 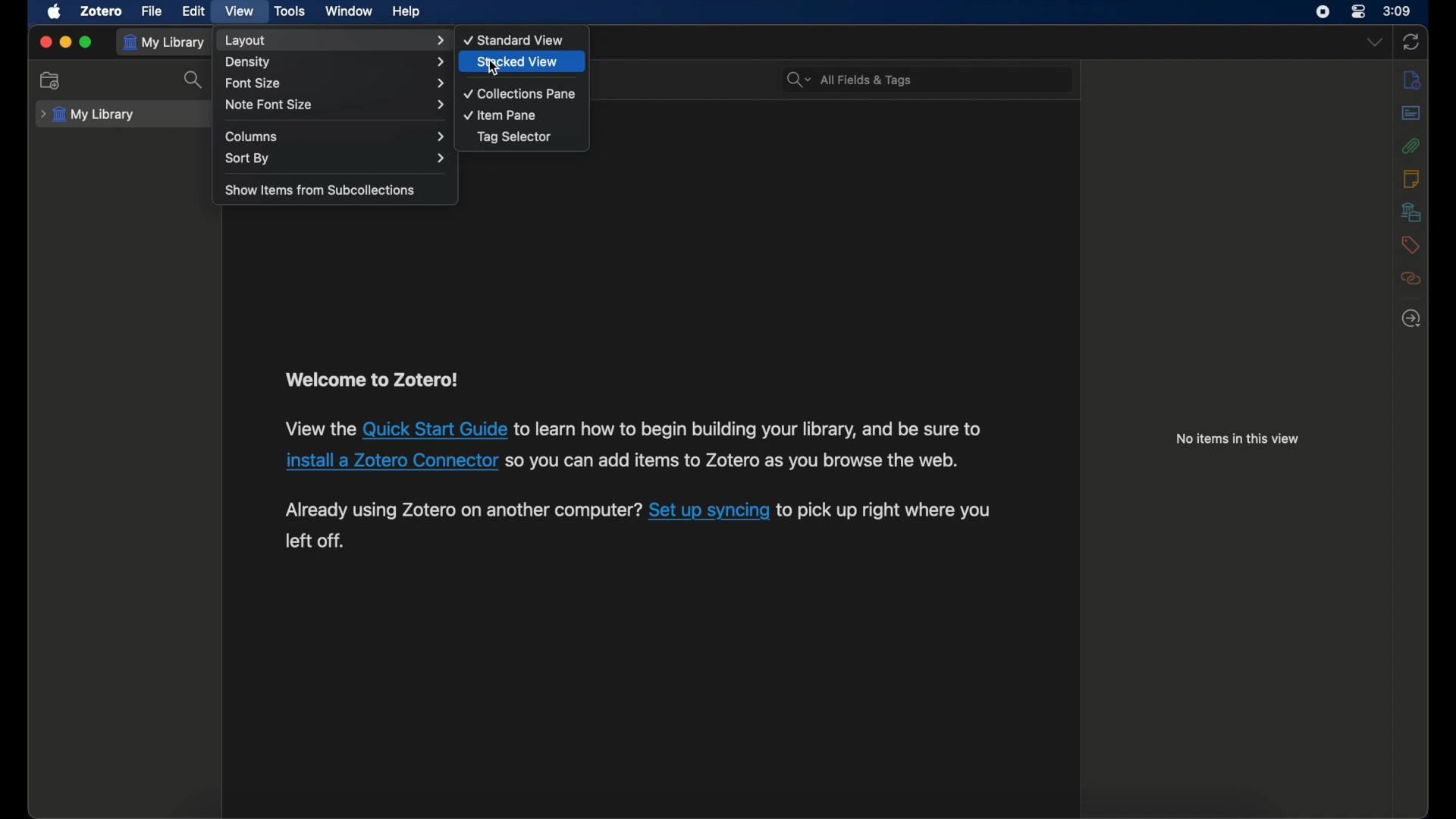 What do you see at coordinates (517, 61) in the screenshot?
I see `stacked view` at bounding box center [517, 61].